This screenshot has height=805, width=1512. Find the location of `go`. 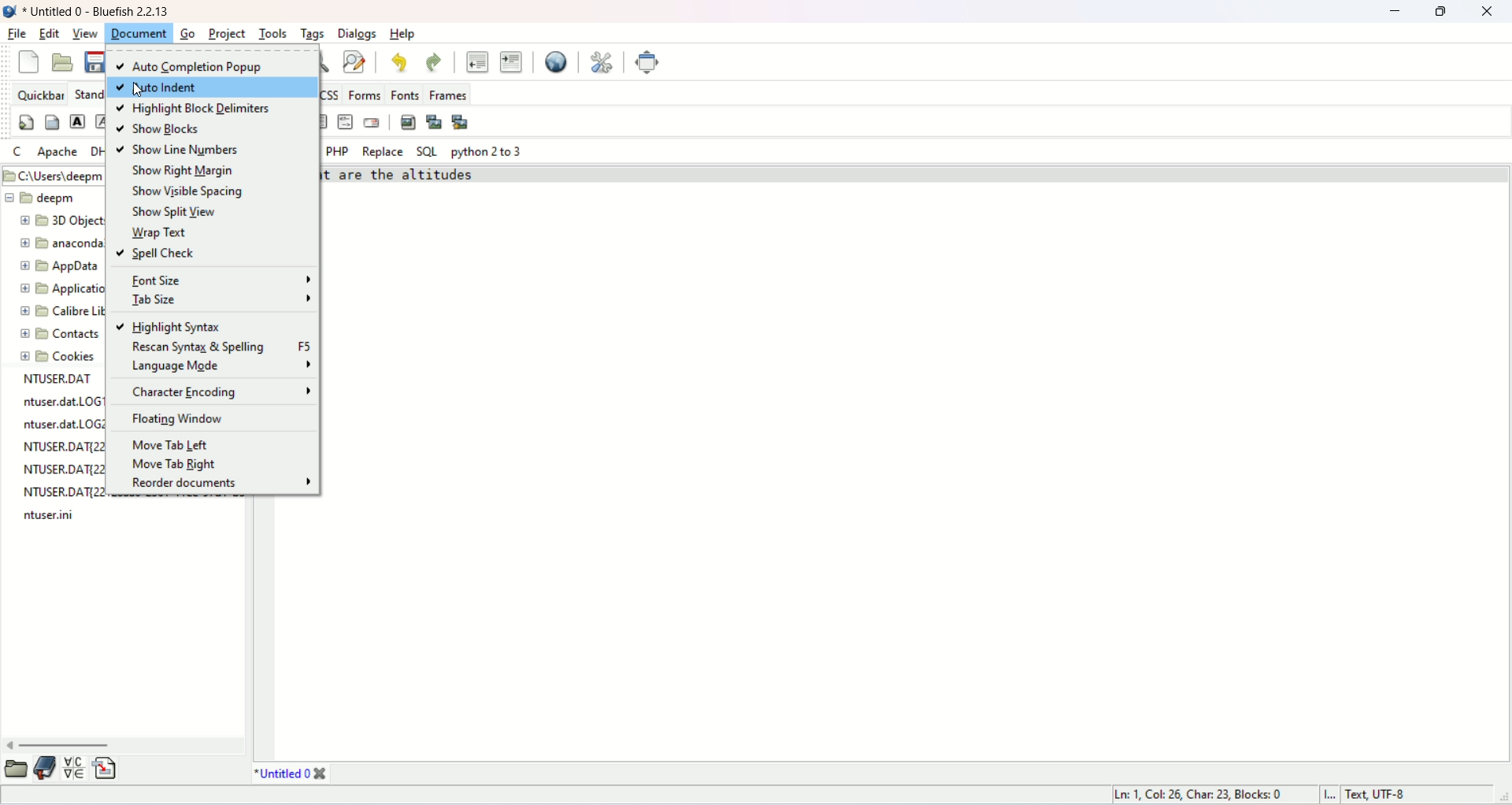

go is located at coordinates (186, 33).